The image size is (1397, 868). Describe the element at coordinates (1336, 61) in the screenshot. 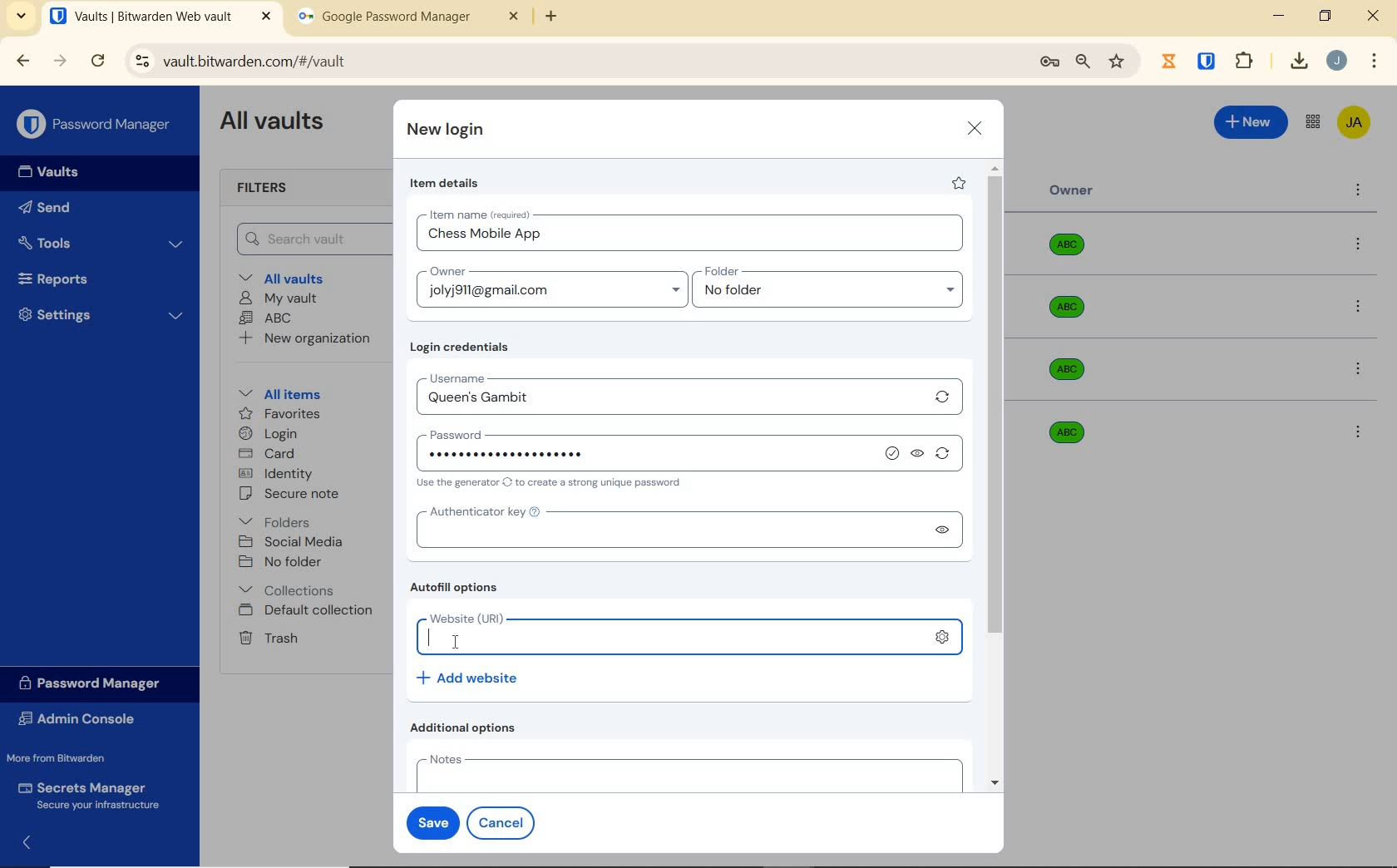

I see `Account` at that location.